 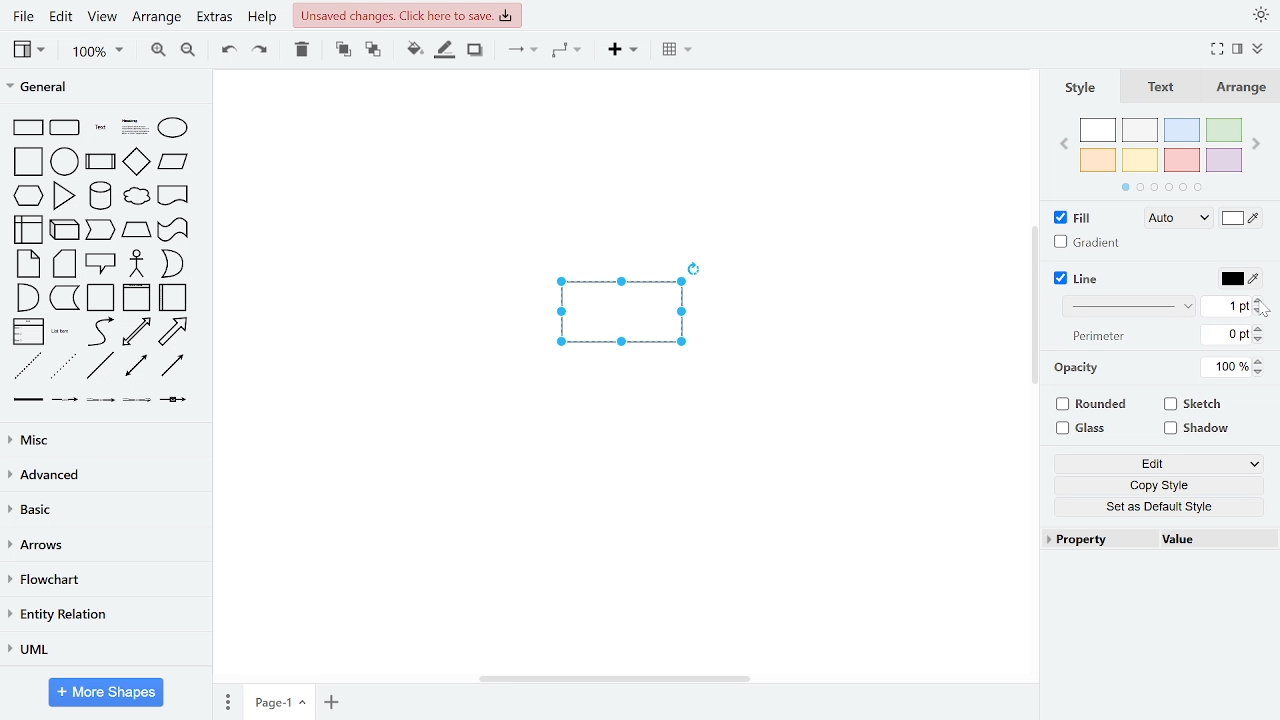 I want to click on delete, so click(x=305, y=51).